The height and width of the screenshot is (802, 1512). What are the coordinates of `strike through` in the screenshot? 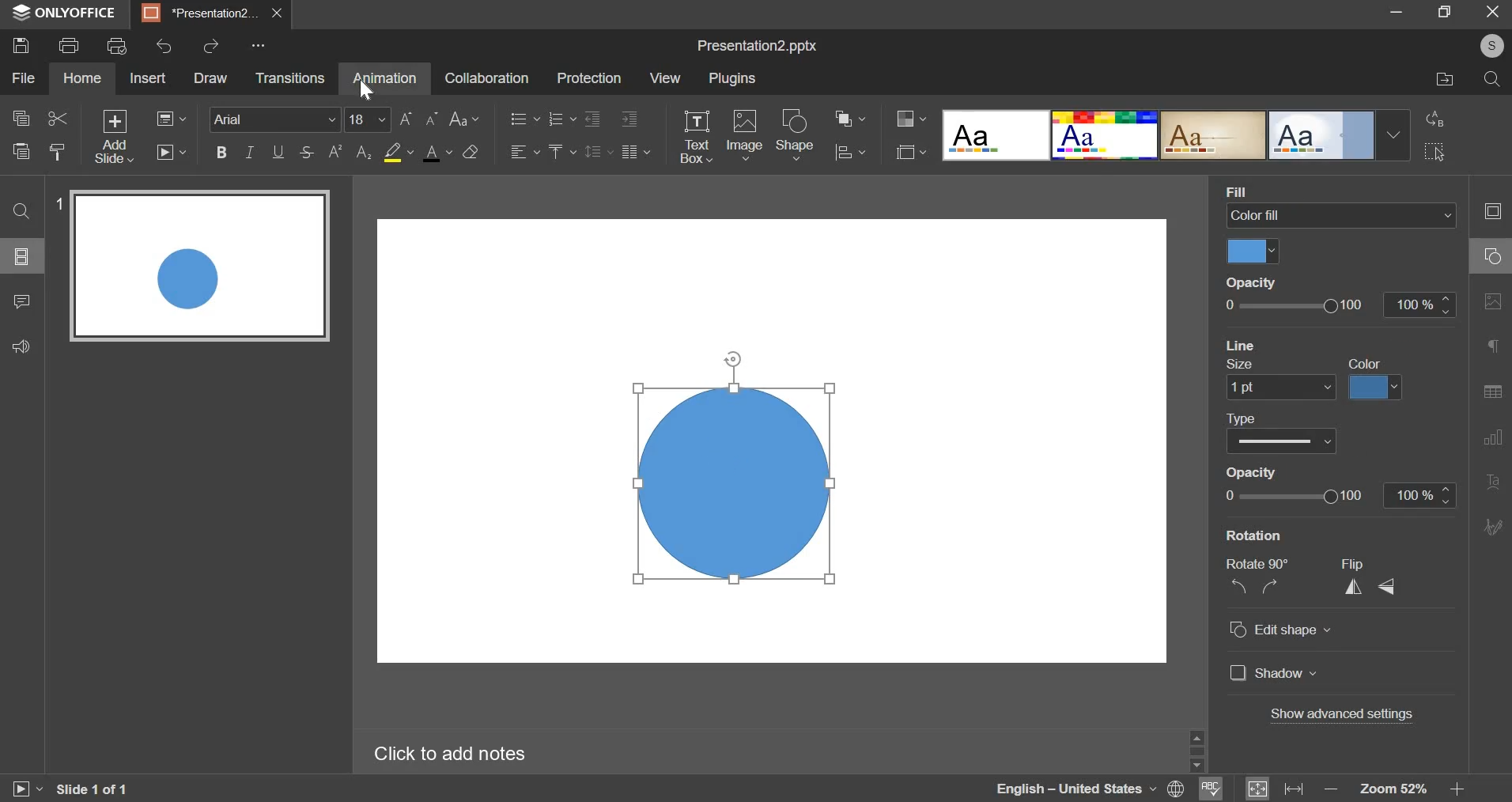 It's located at (305, 152).